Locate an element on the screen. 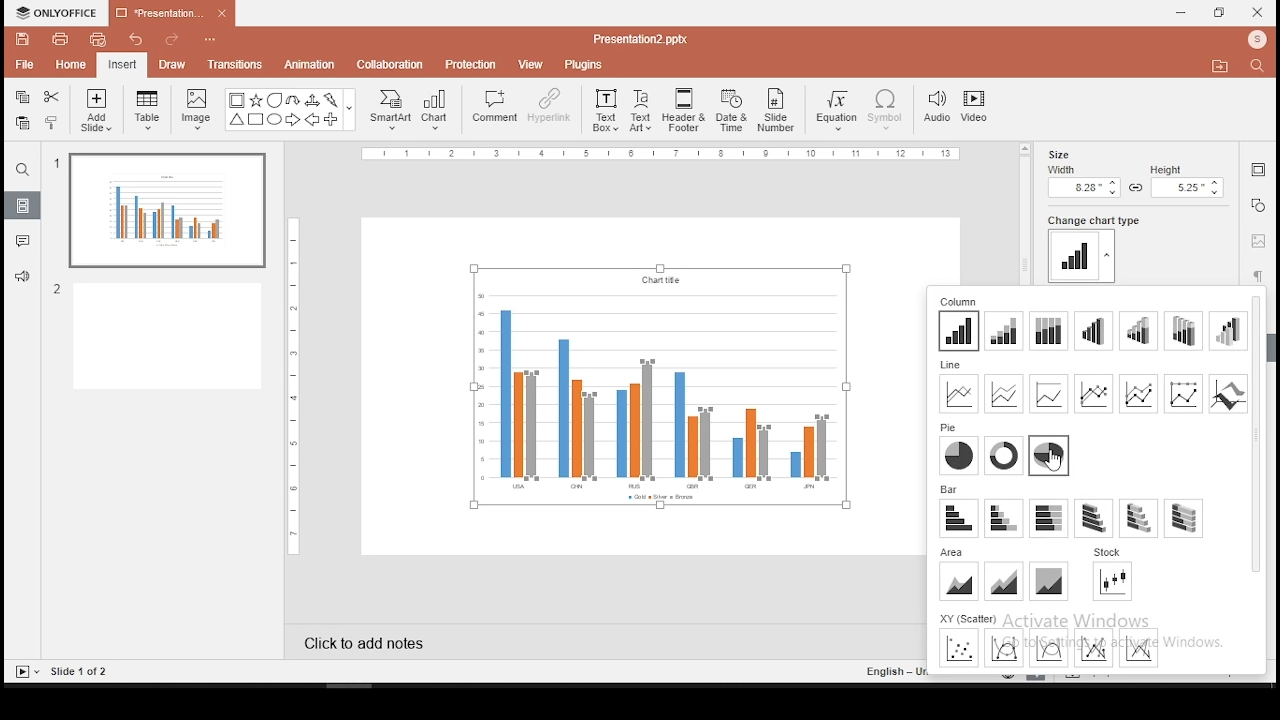  area 3 is located at coordinates (1049, 581).